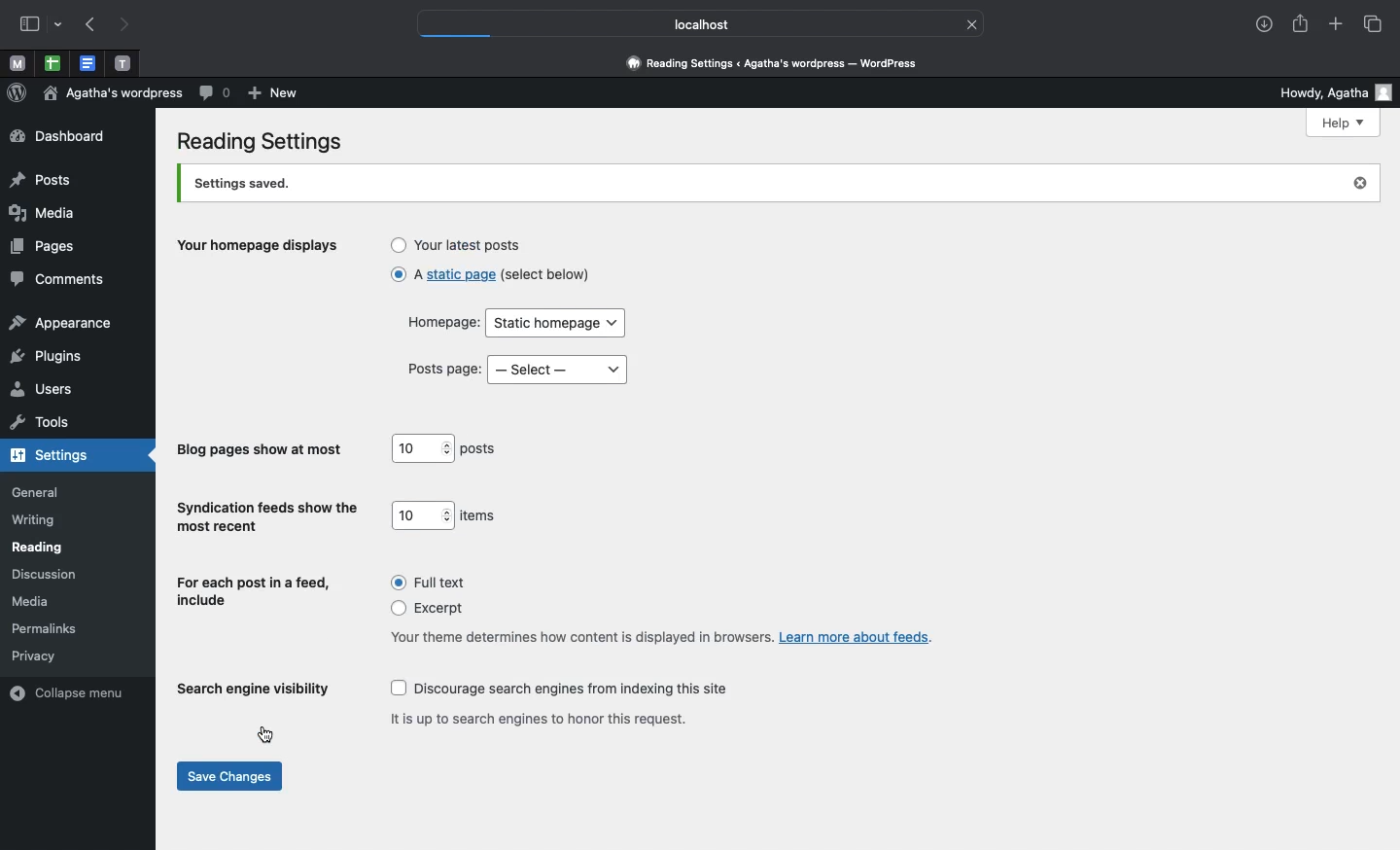 Image resolution: width=1400 pixels, height=850 pixels. I want to click on Tabs, so click(1377, 25).